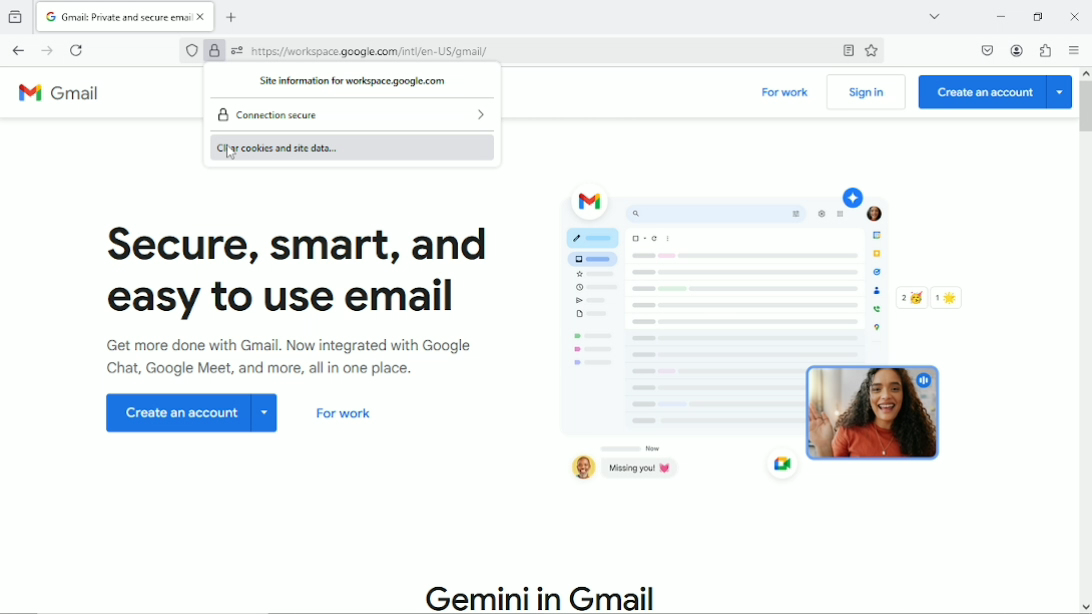 The height and width of the screenshot is (614, 1092). What do you see at coordinates (871, 52) in the screenshot?
I see `Bookmark this page` at bounding box center [871, 52].